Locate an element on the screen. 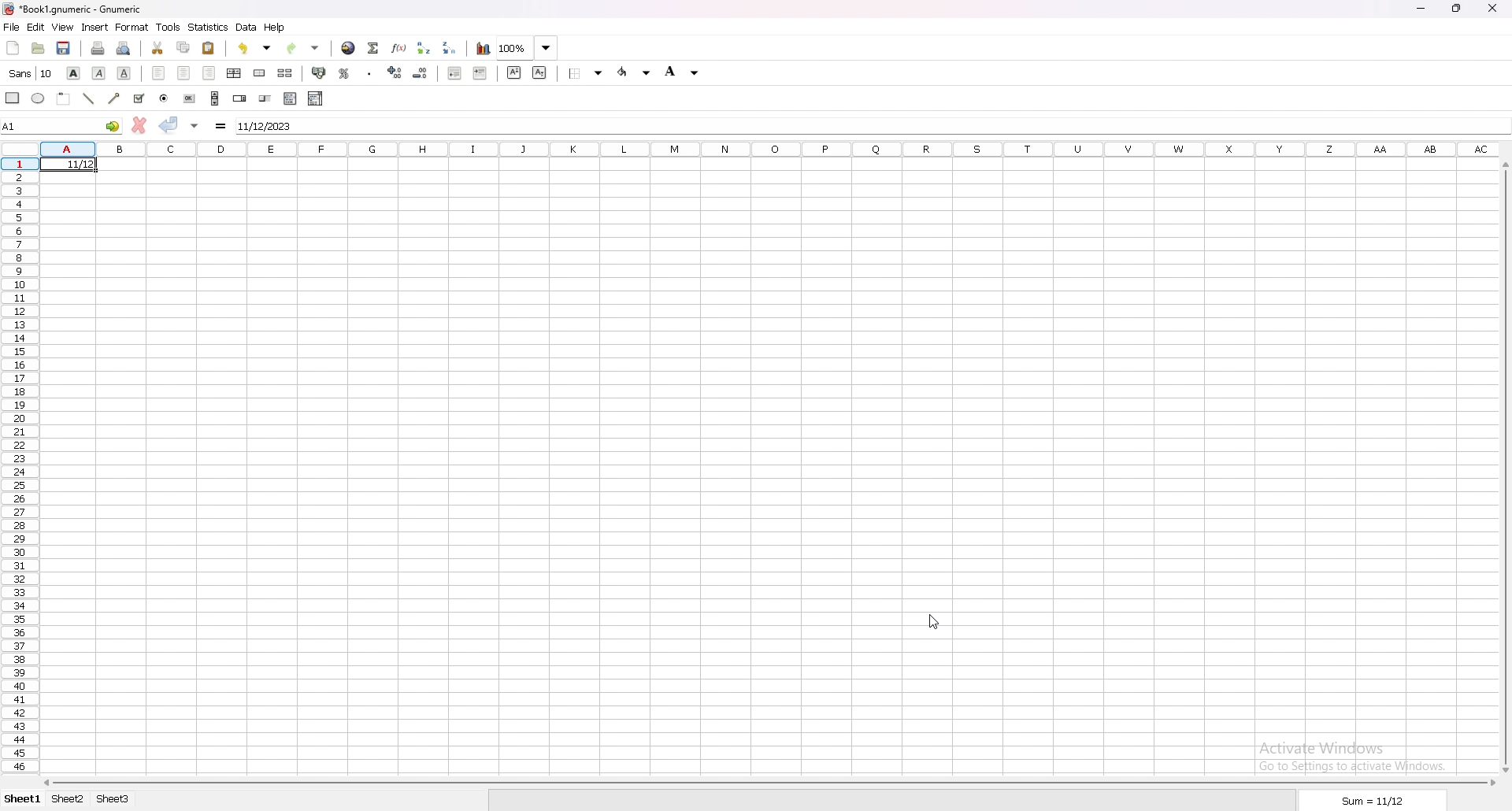 The height and width of the screenshot is (811, 1512). help is located at coordinates (276, 28).